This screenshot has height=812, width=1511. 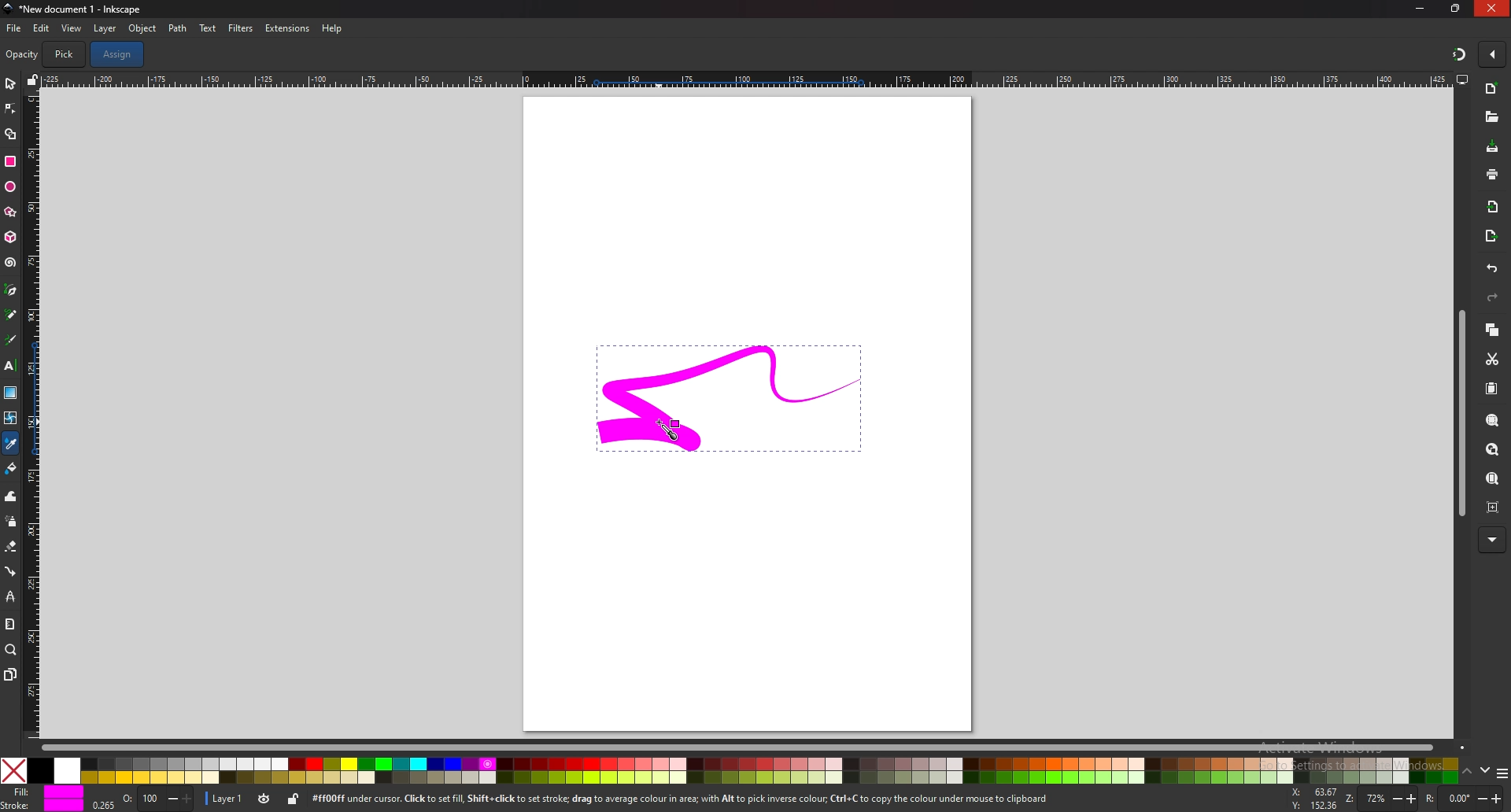 I want to click on export, so click(x=1491, y=236).